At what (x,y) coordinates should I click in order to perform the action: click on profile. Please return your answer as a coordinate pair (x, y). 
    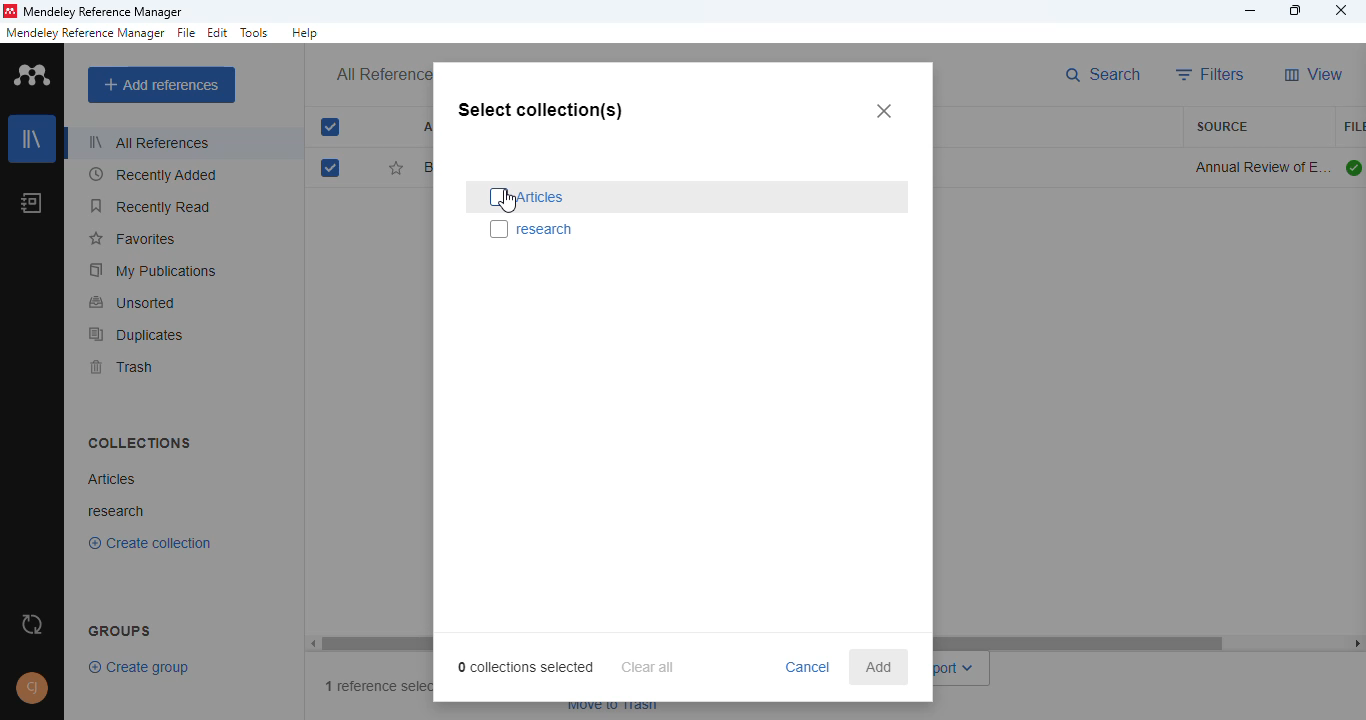
    Looking at the image, I should click on (32, 688).